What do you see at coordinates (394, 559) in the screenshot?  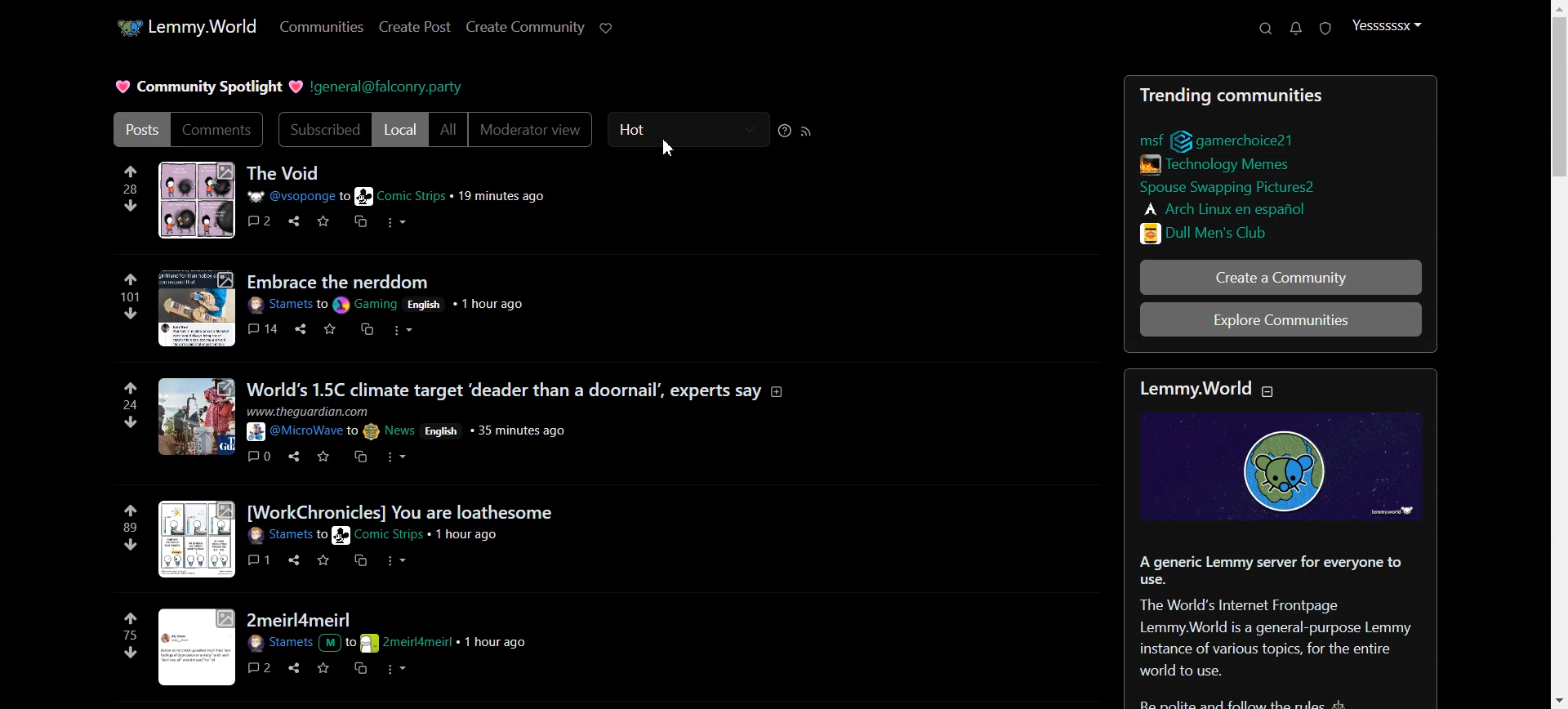 I see `more` at bounding box center [394, 559].